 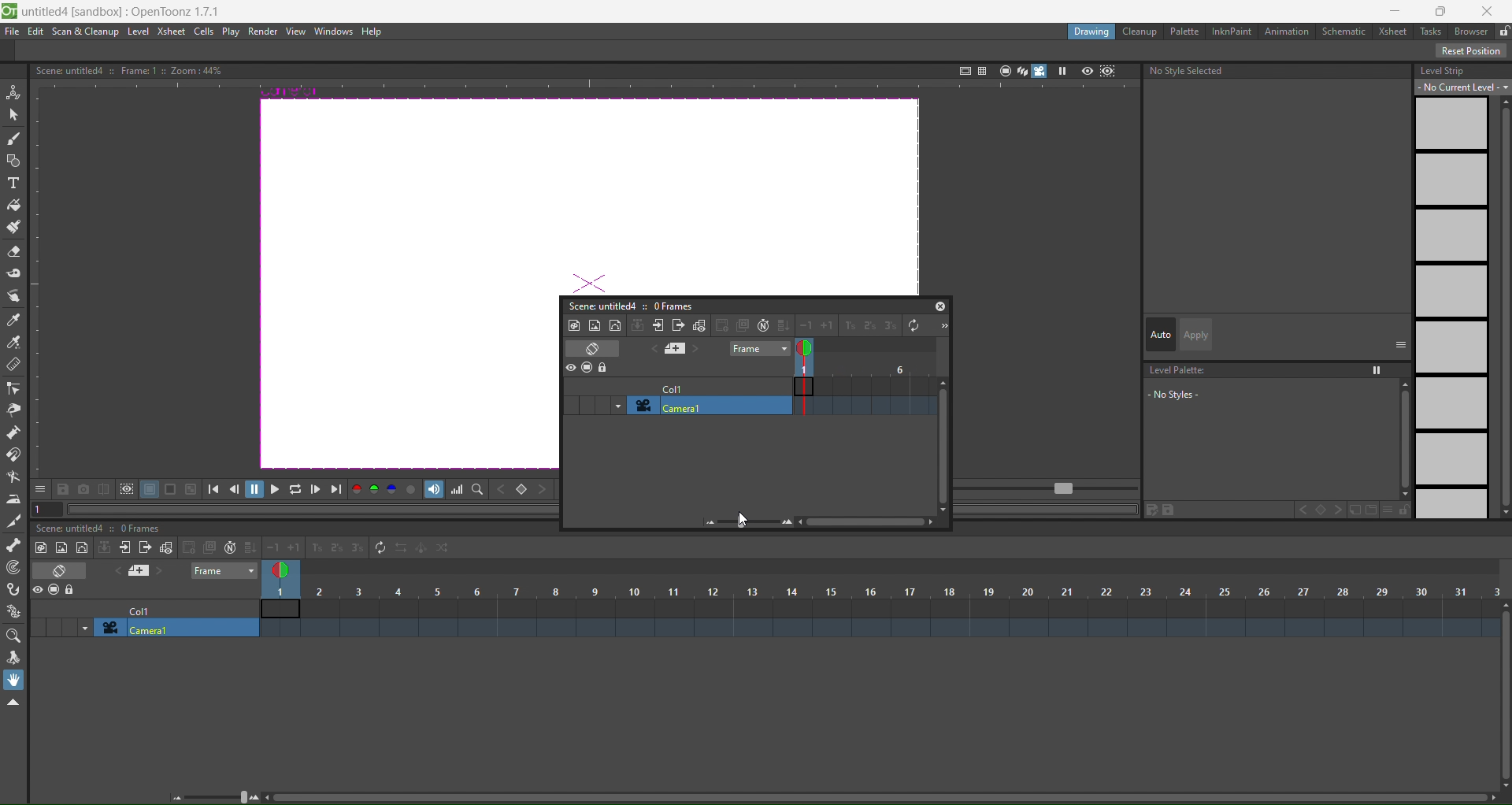 What do you see at coordinates (314, 546) in the screenshot?
I see `increasestep` at bounding box center [314, 546].